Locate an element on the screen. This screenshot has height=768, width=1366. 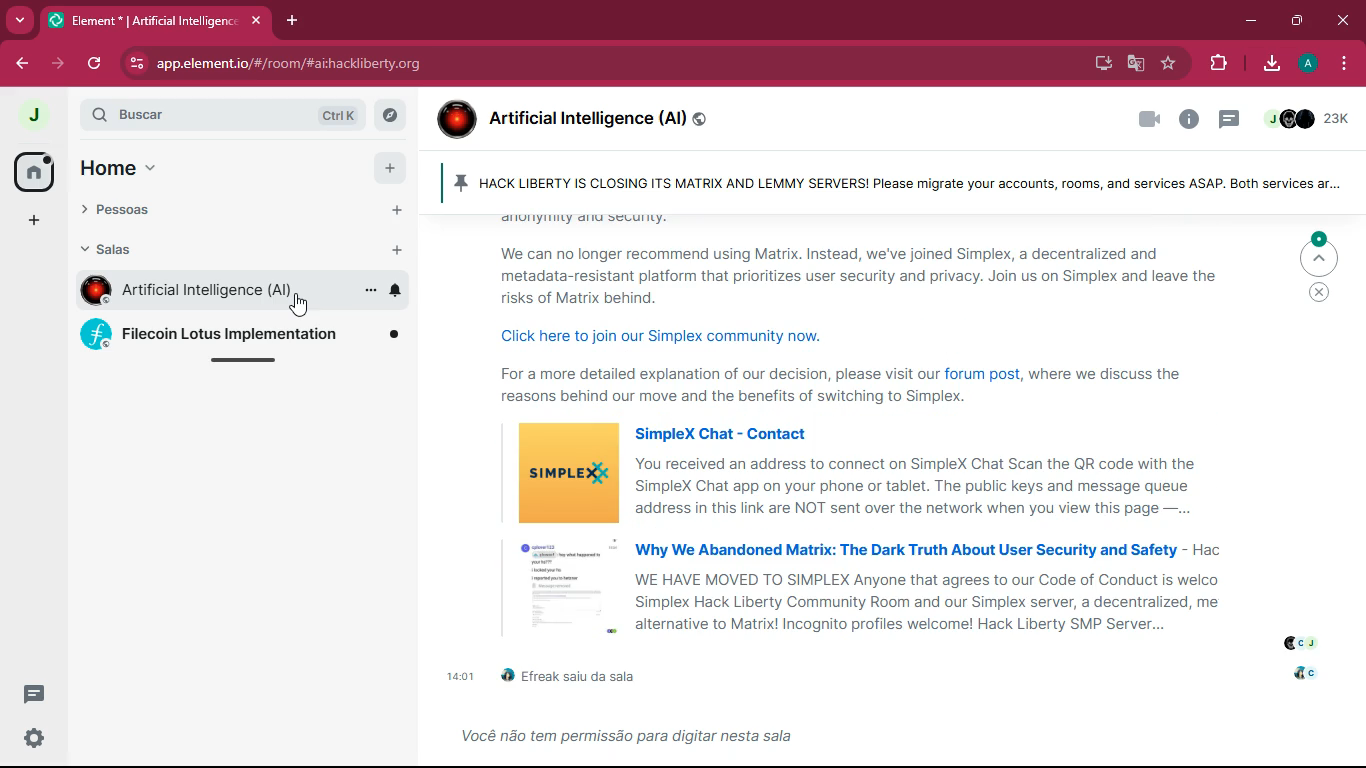
salas is located at coordinates (143, 253).